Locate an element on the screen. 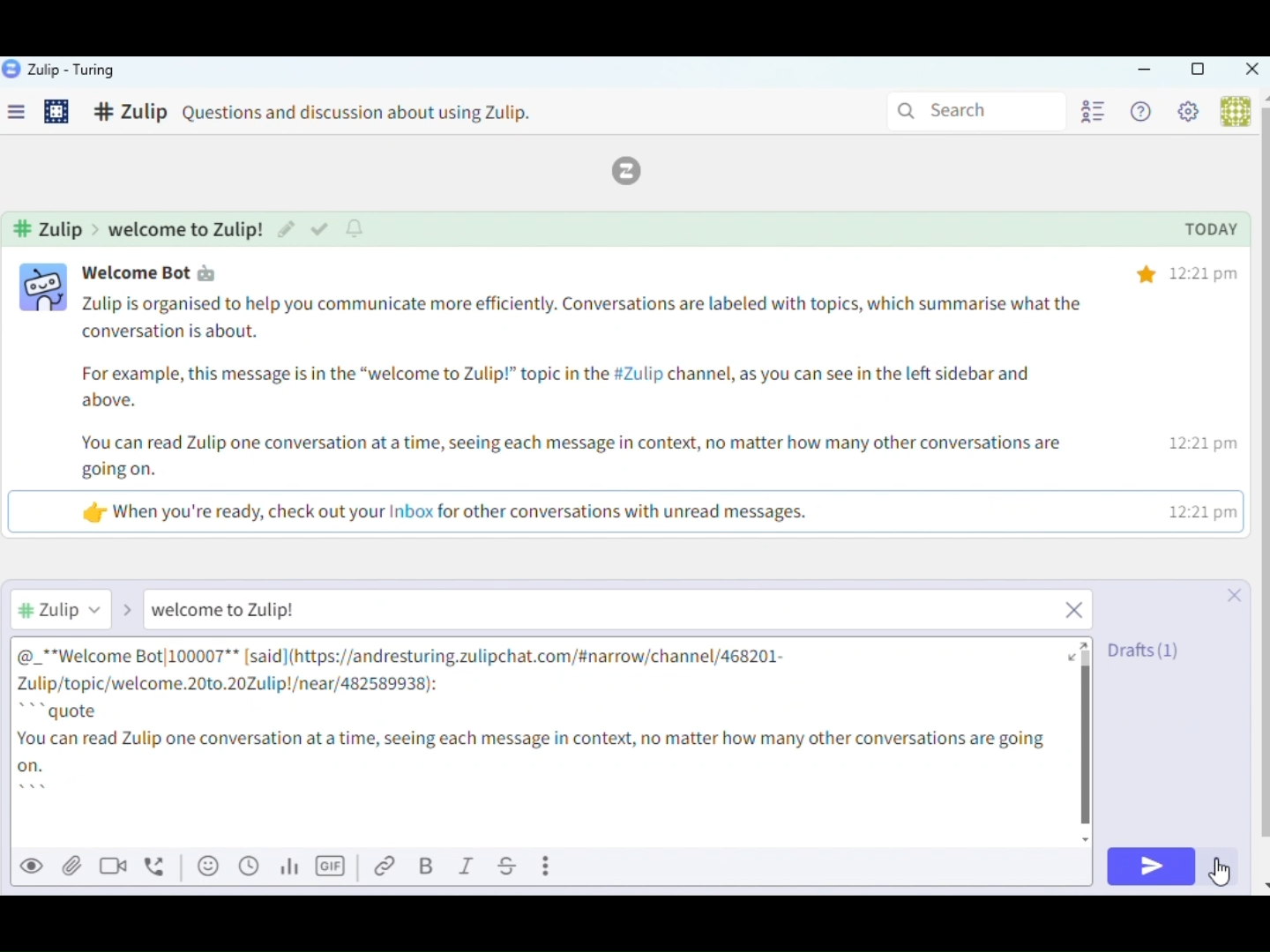 The image size is (1270, 952). mark is located at coordinates (318, 230).